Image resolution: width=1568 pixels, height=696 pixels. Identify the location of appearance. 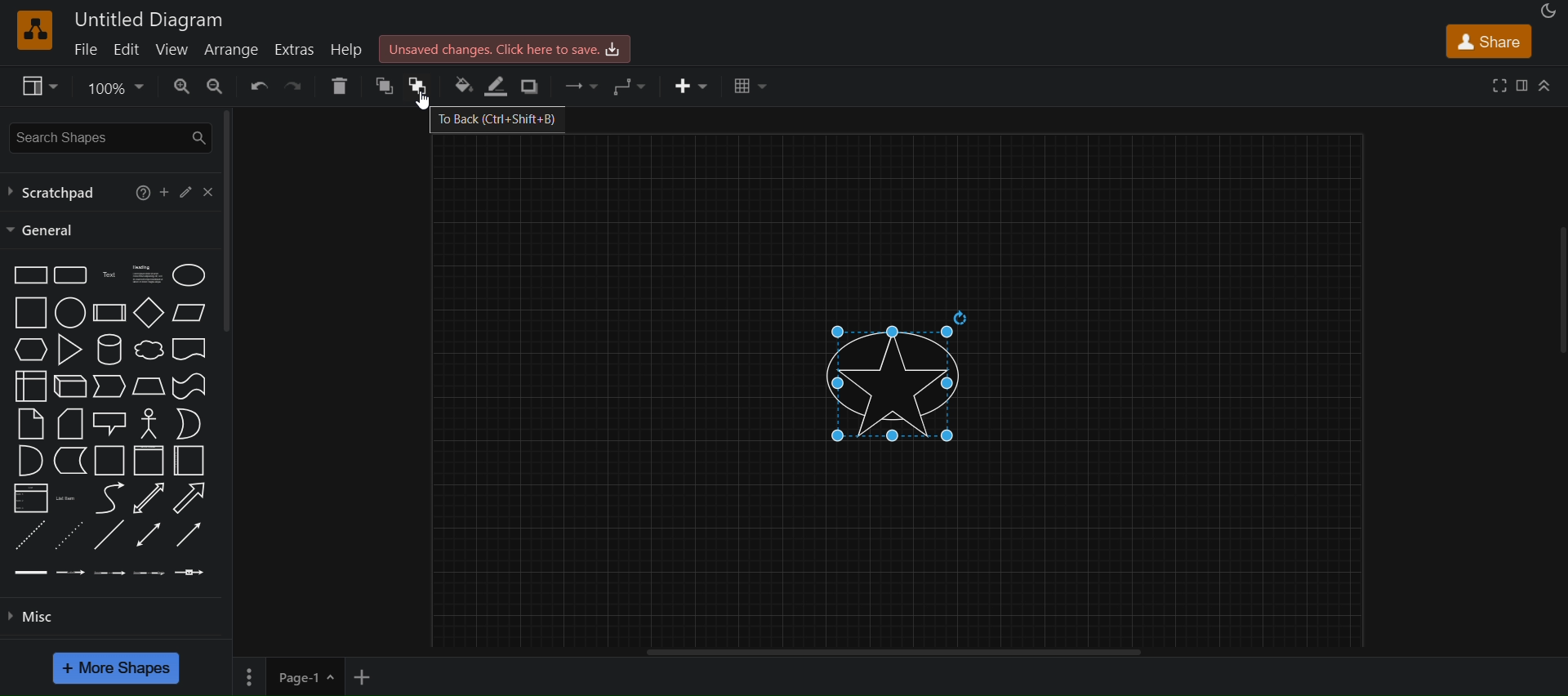
(1549, 11).